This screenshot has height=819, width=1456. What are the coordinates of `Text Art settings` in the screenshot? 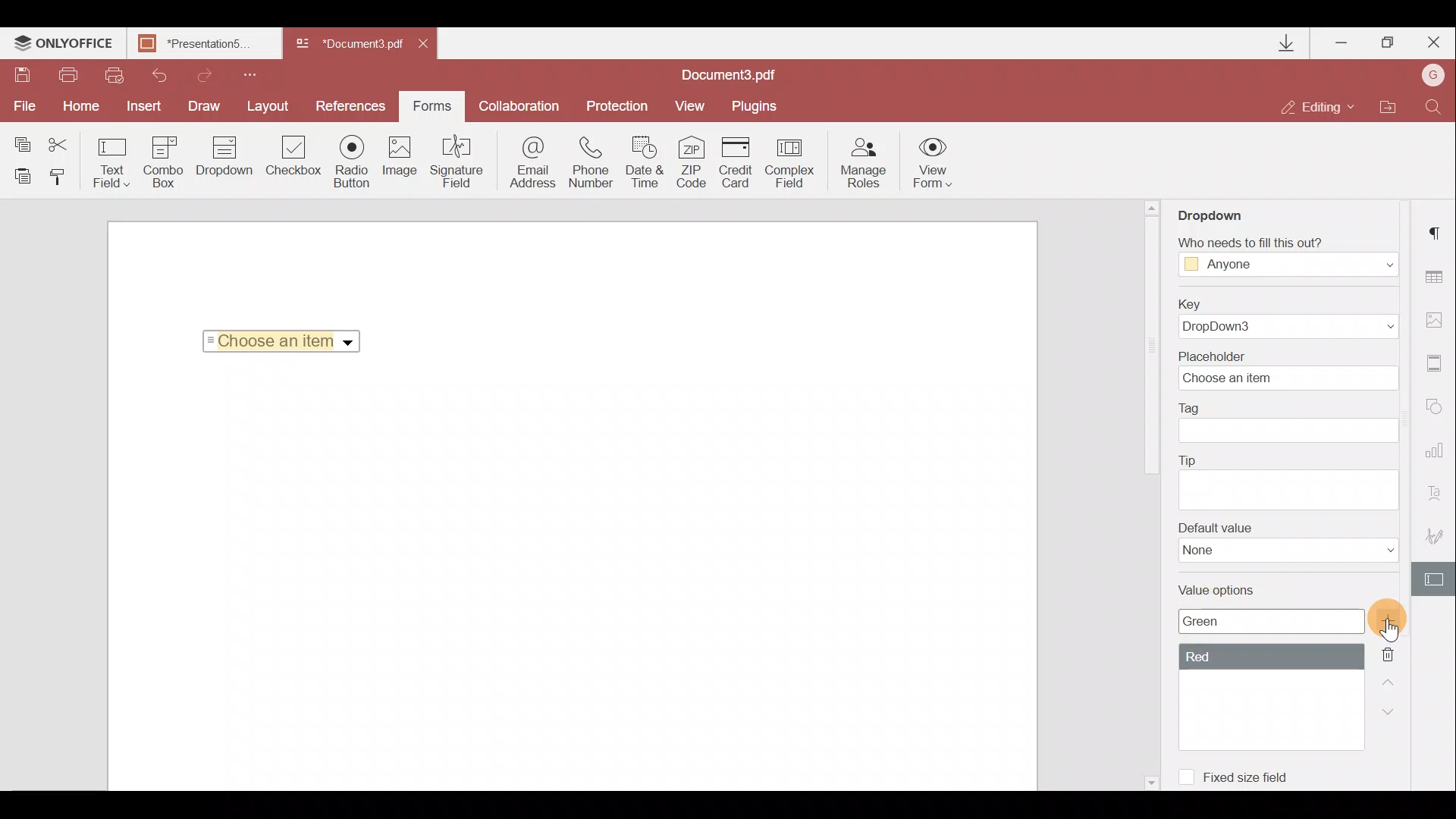 It's located at (1439, 491).